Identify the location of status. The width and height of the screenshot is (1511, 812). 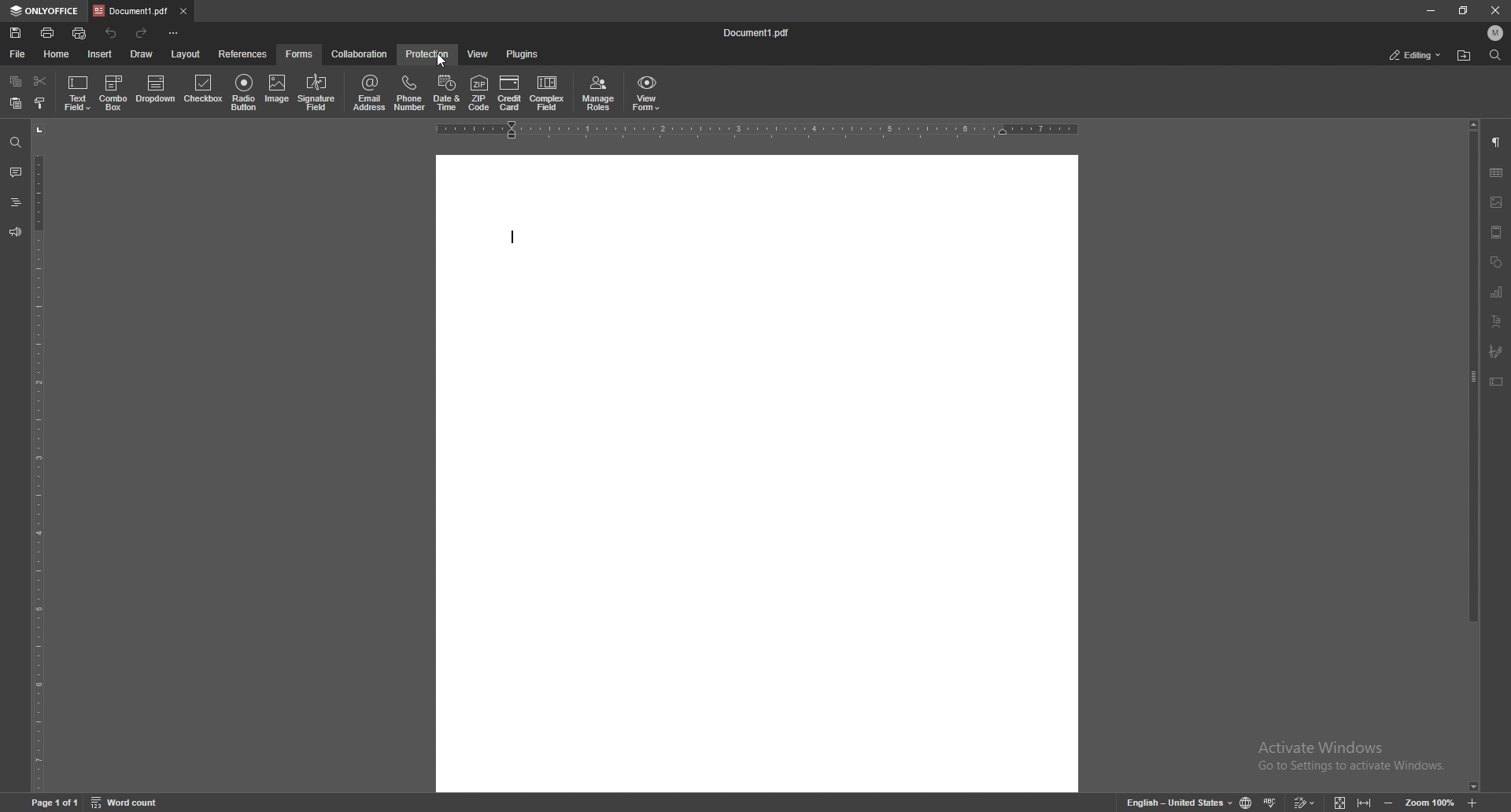
(1416, 55).